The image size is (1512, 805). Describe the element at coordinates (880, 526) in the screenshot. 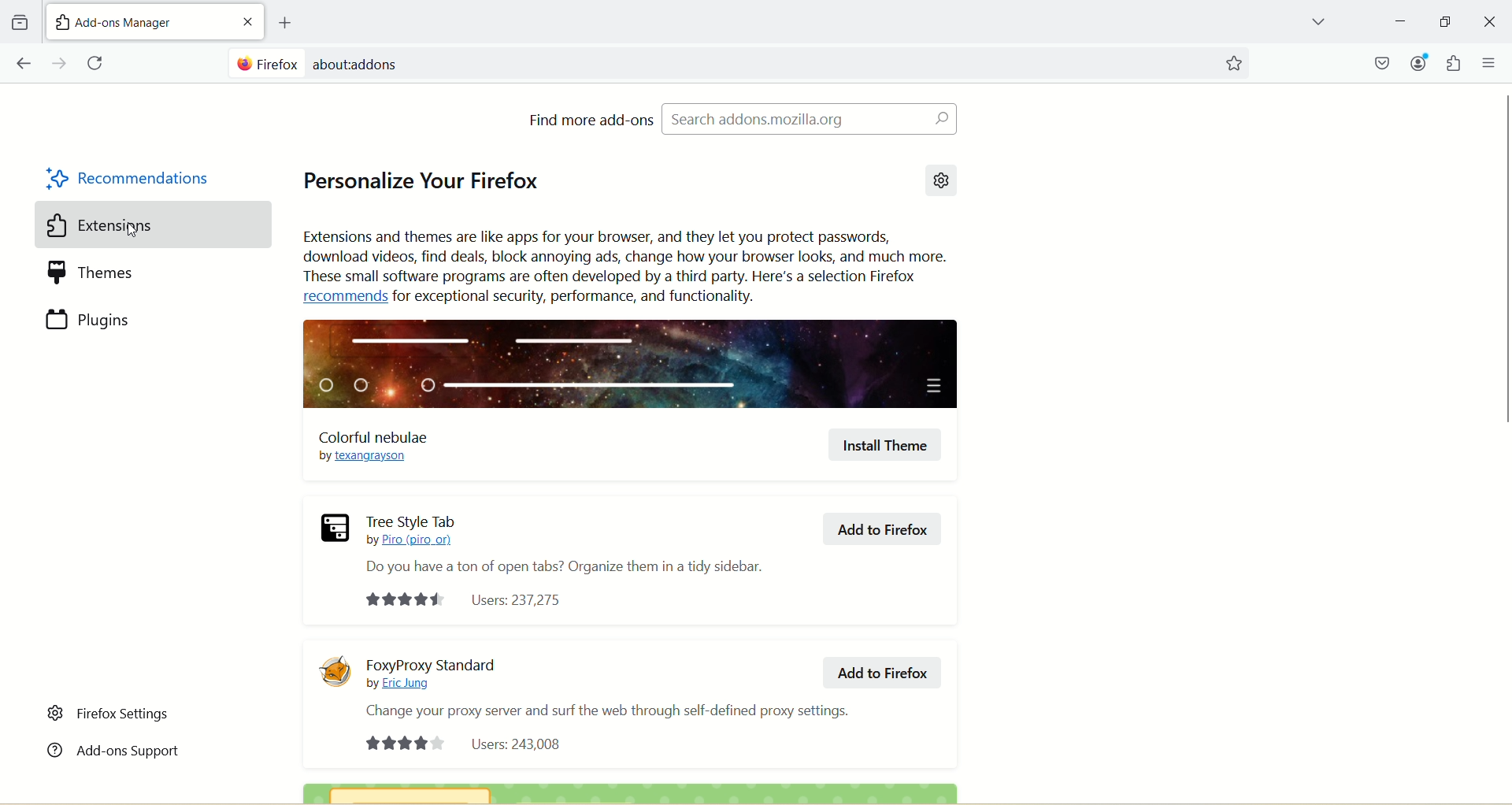

I see `Add to firefox` at that location.